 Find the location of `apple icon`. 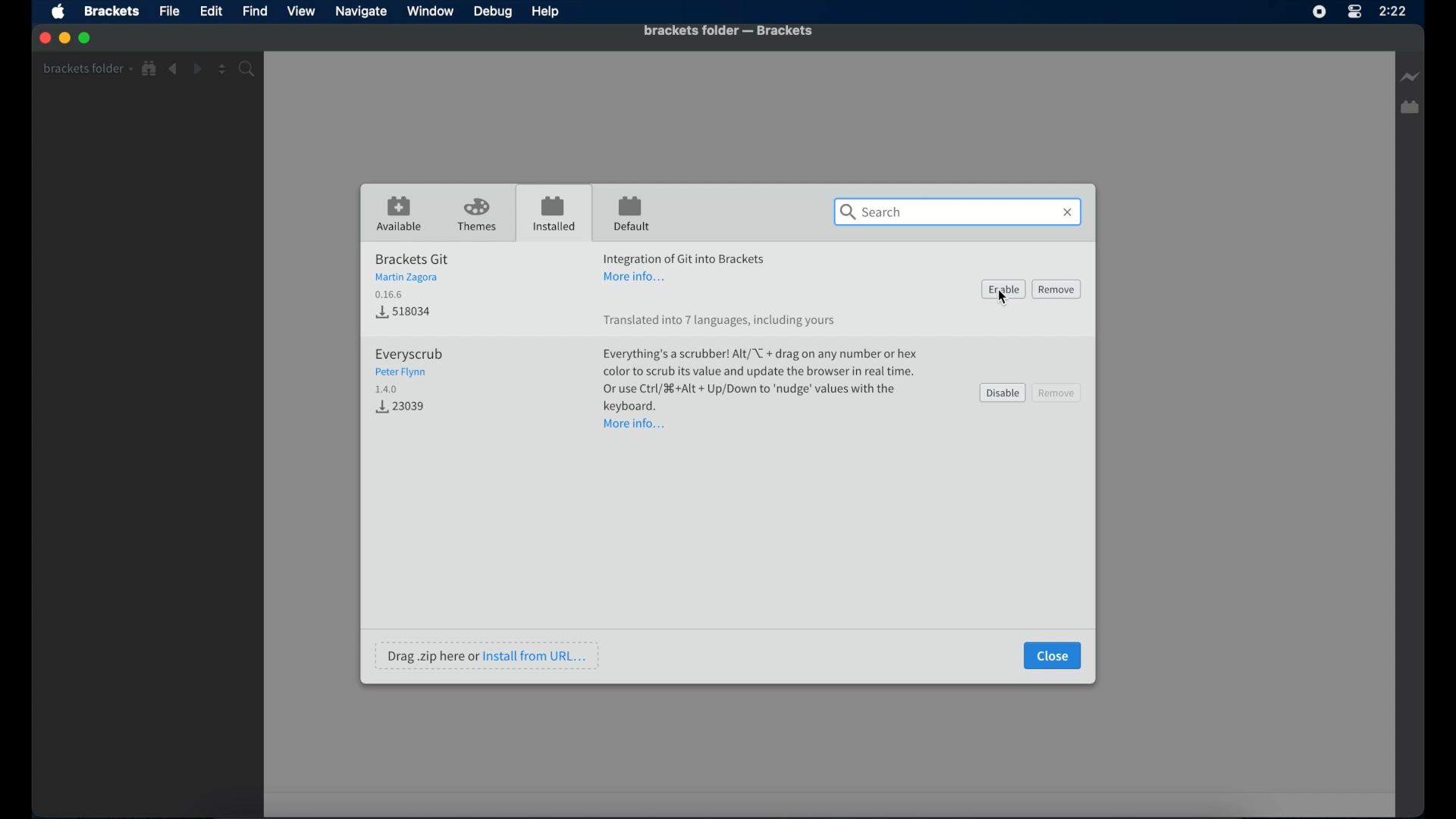

apple icon is located at coordinates (60, 13).